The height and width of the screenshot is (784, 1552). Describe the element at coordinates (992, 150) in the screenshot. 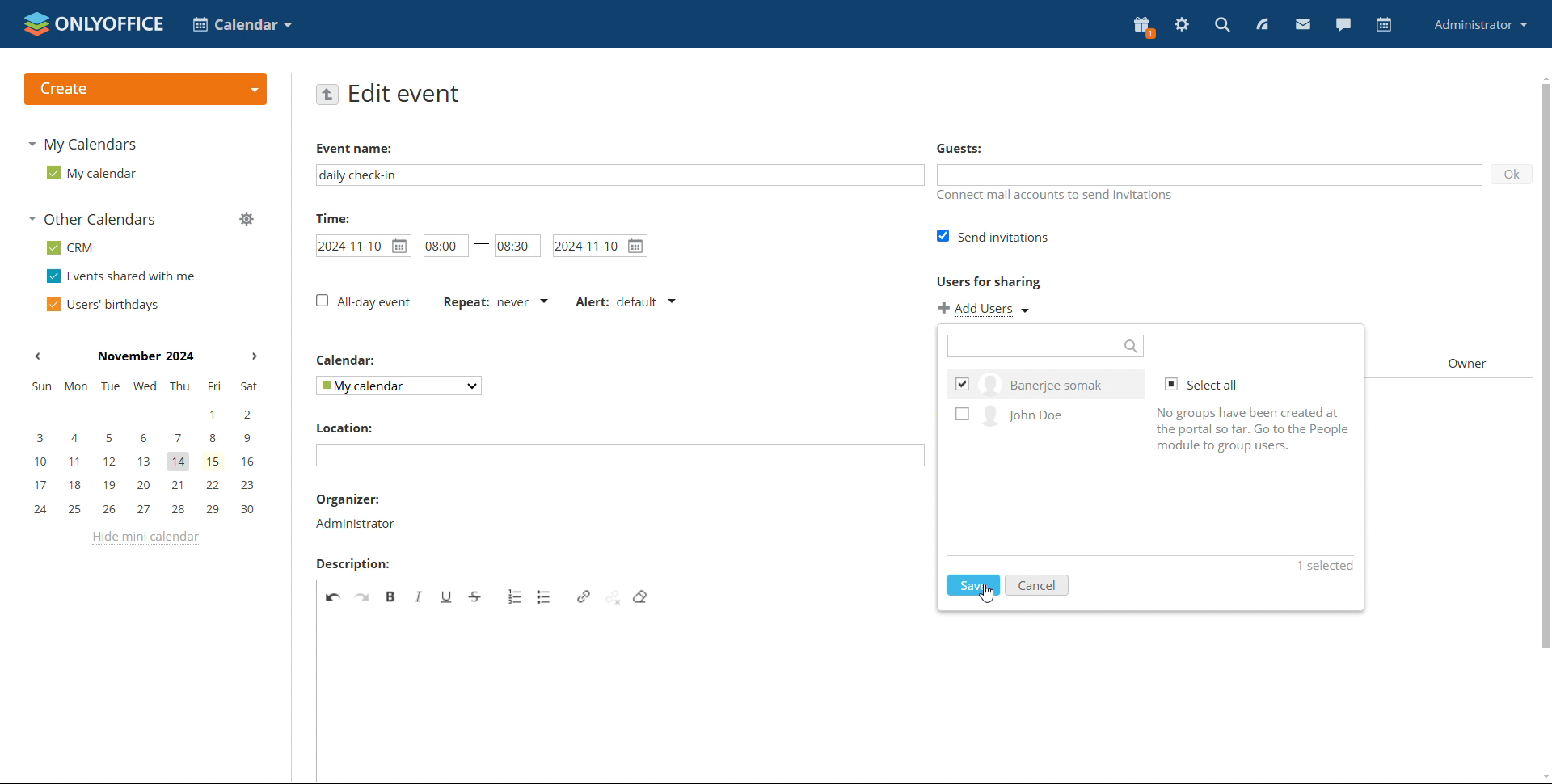

I see `guest:` at that location.